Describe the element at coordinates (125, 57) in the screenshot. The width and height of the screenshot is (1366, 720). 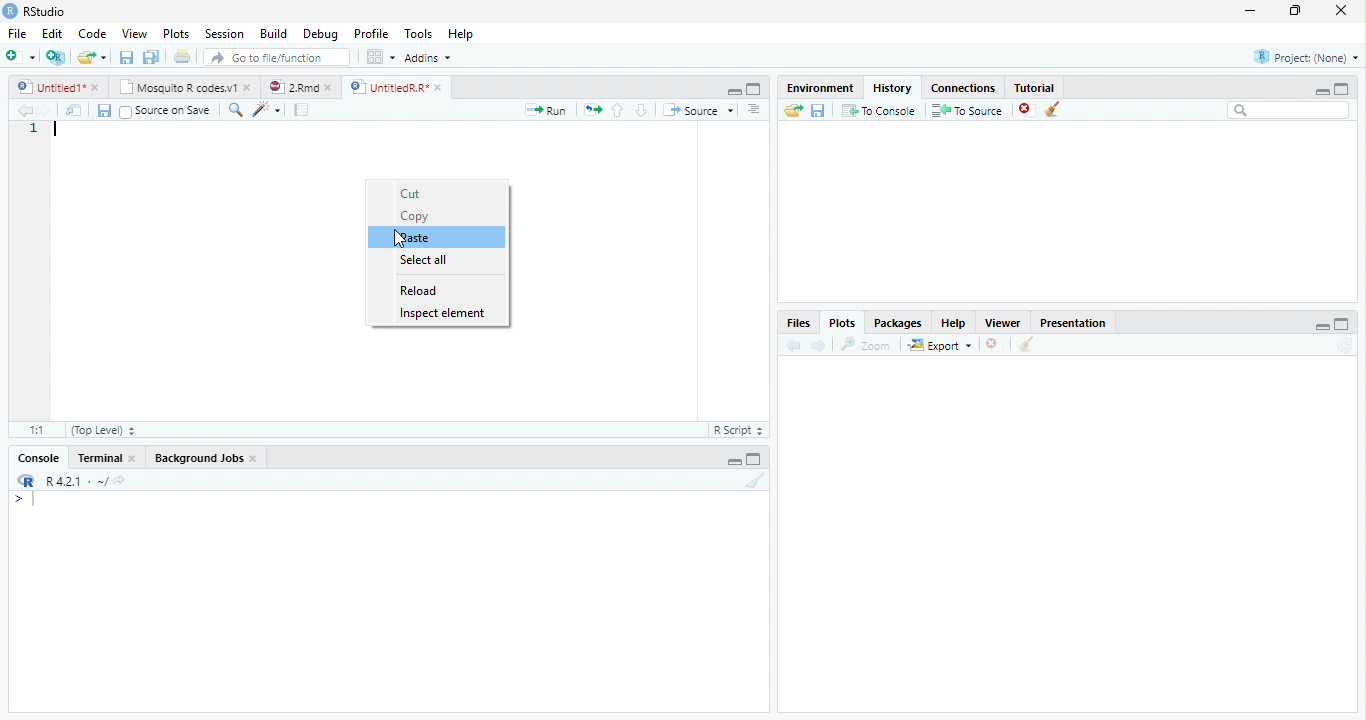
I see `save current document` at that location.